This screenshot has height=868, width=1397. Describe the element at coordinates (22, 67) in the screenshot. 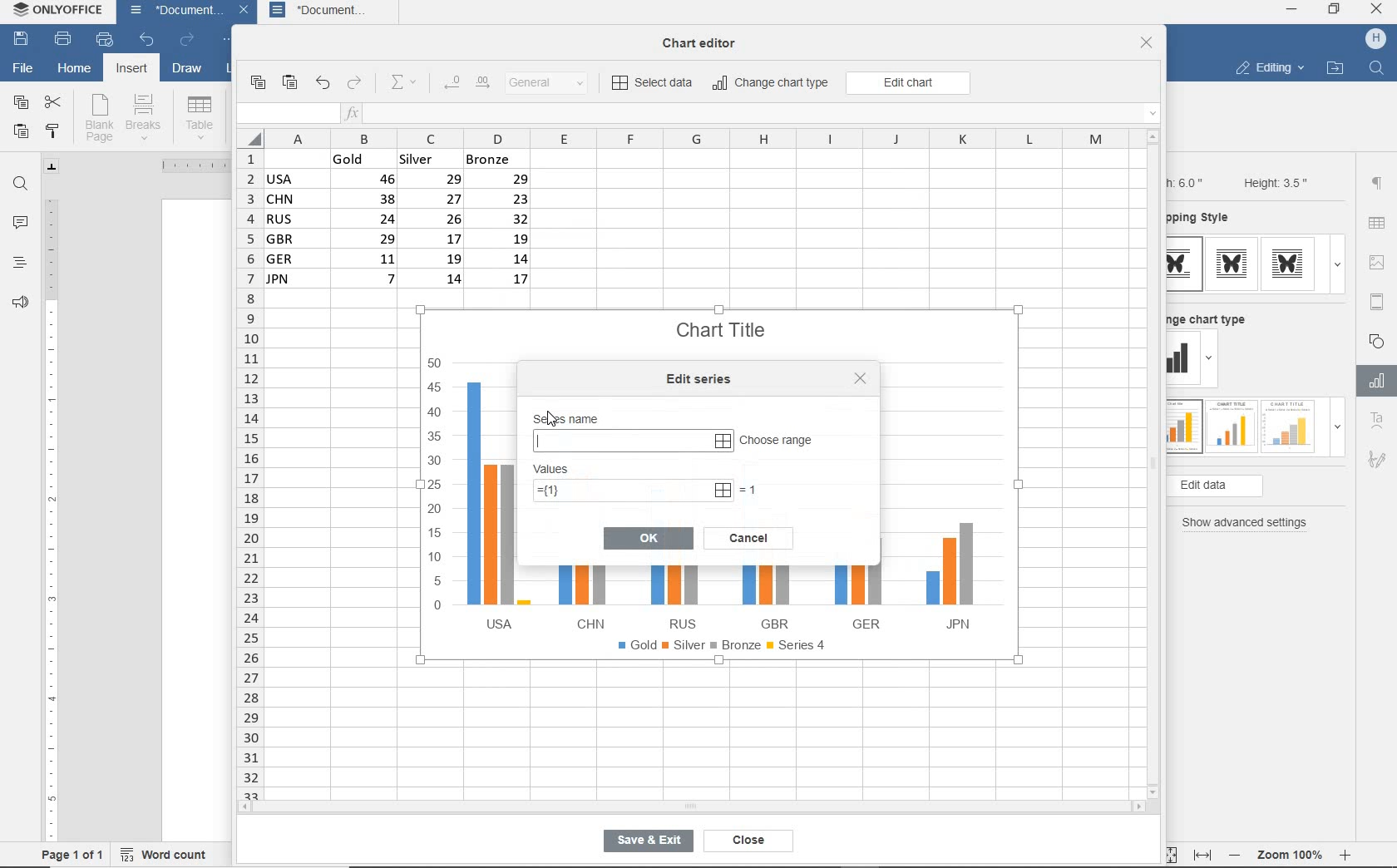

I see `file` at that location.